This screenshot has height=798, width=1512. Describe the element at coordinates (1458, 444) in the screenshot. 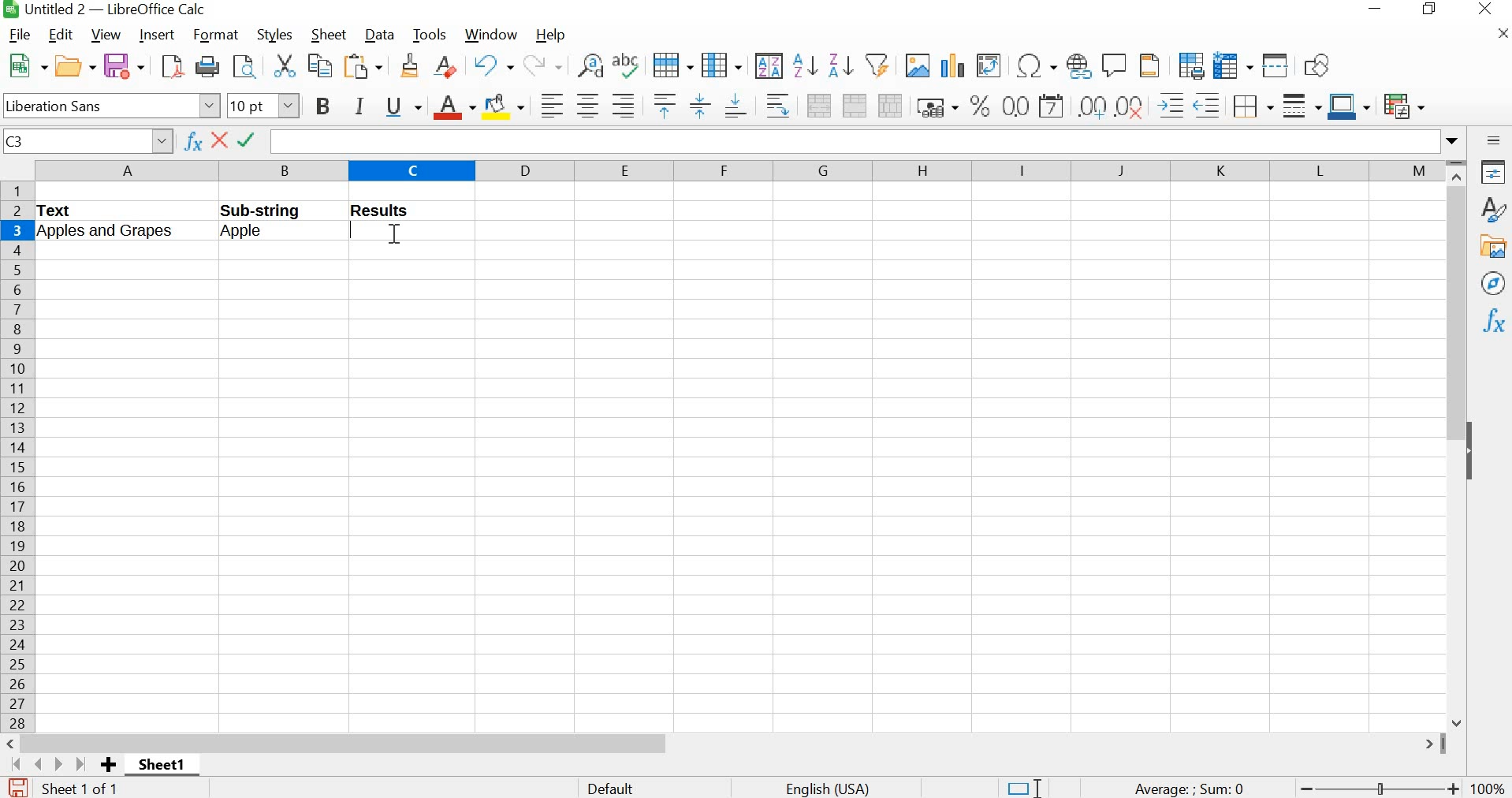

I see `scrollbar` at that location.